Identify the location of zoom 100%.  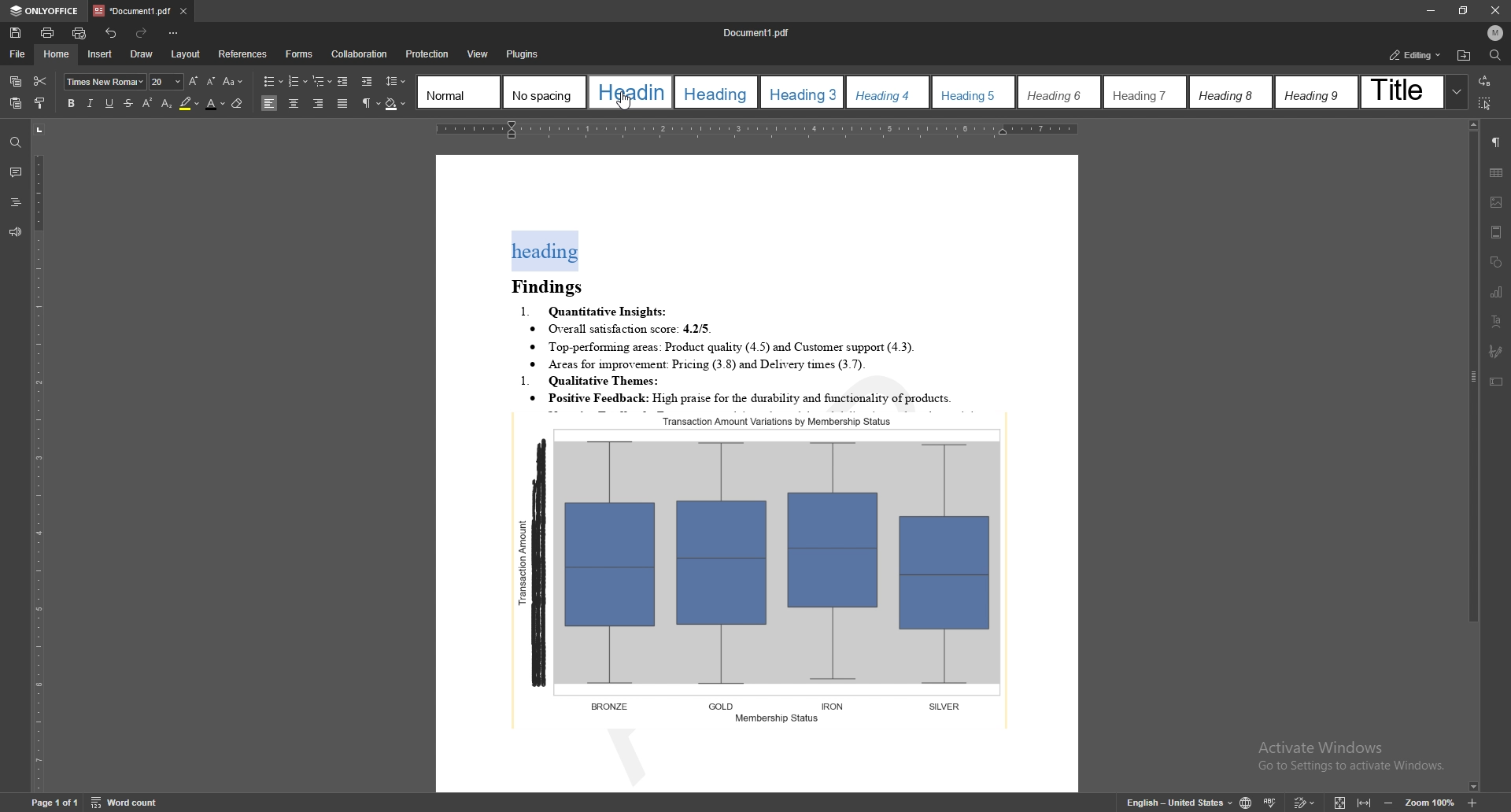
(1435, 804).